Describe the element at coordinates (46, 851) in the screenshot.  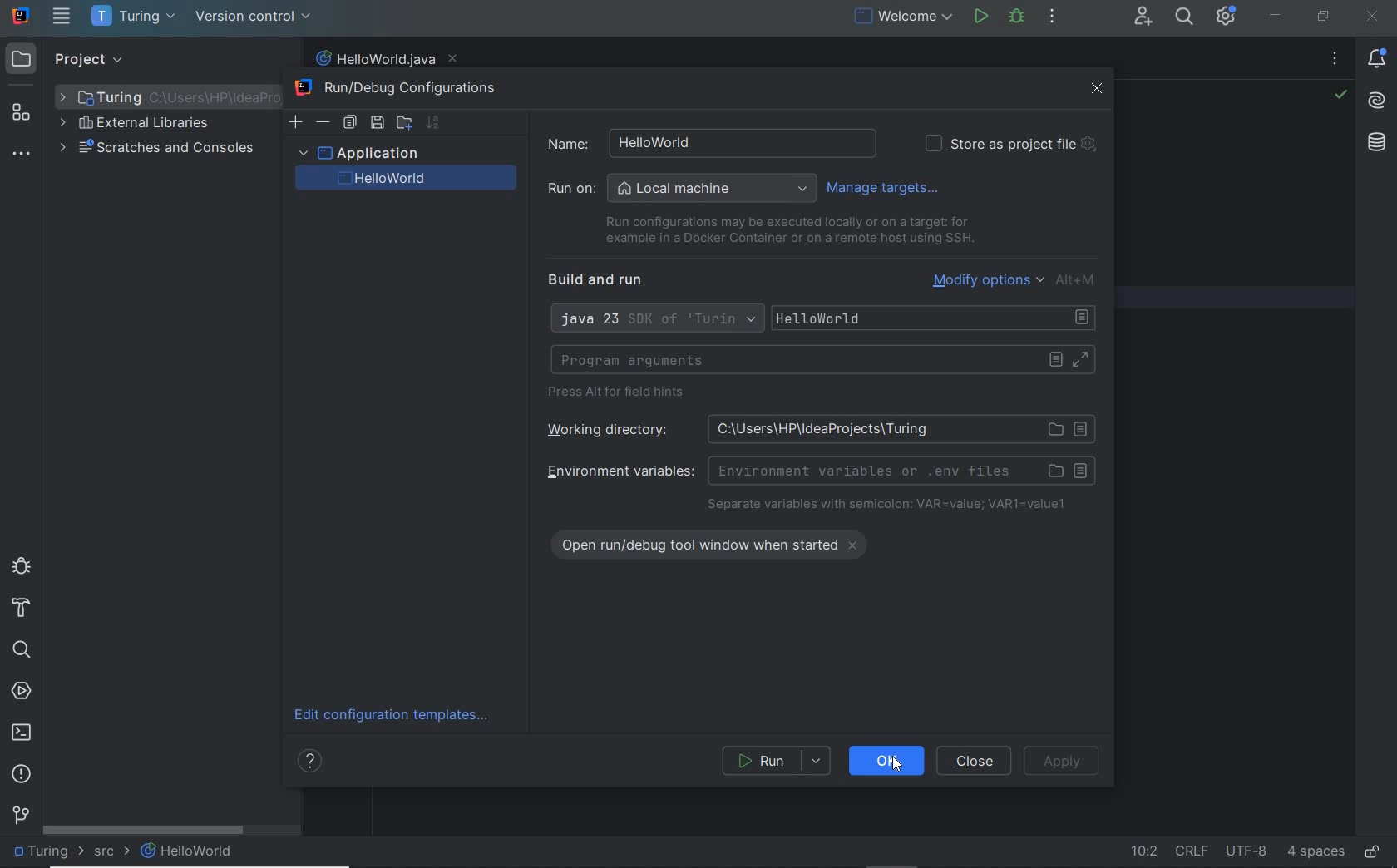
I see `project file` at that location.